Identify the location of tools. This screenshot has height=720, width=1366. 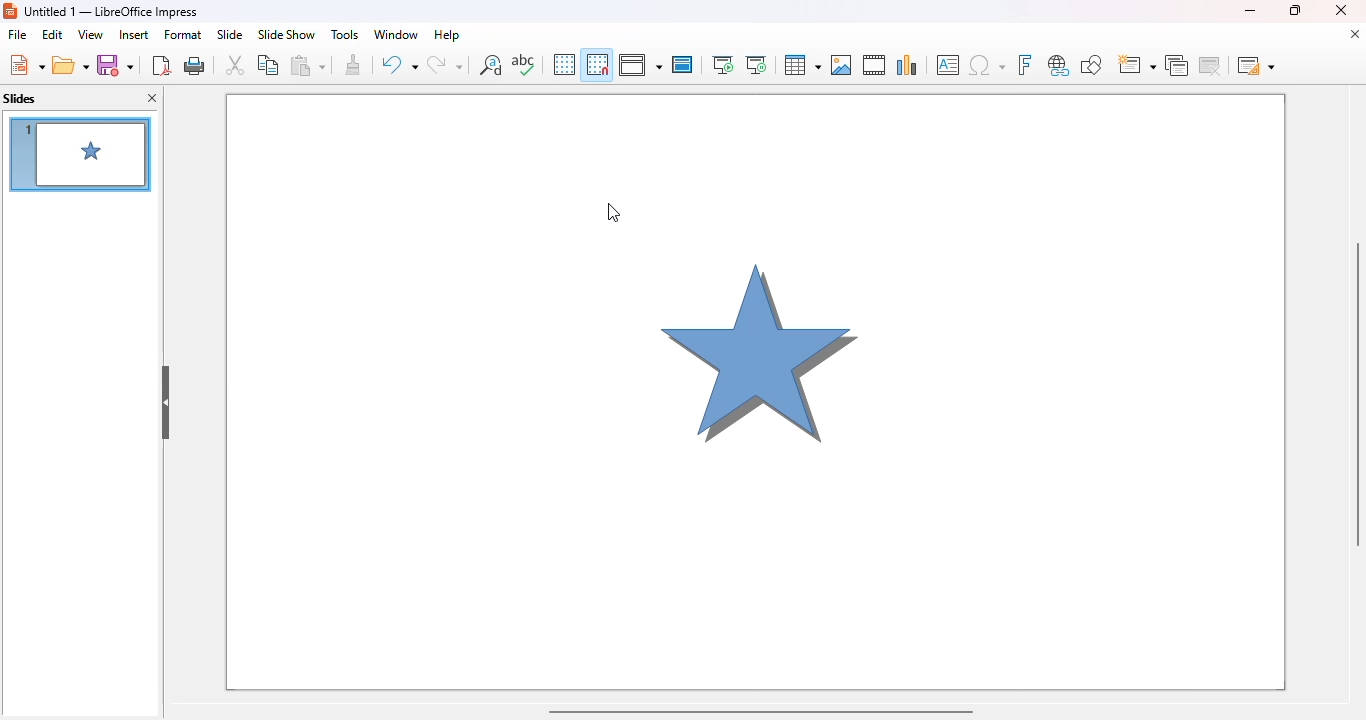
(343, 35).